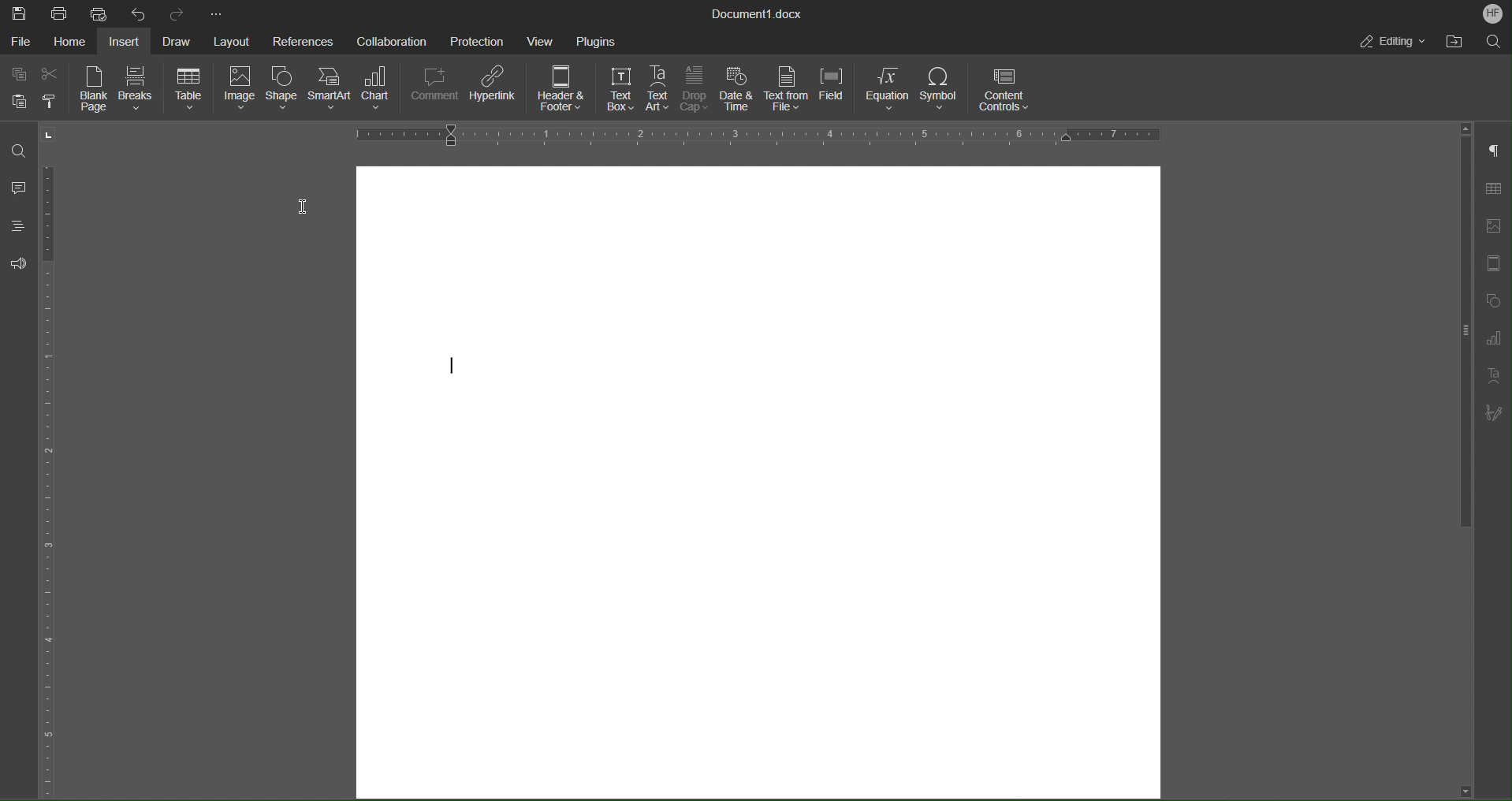  Describe the element at coordinates (539, 39) in the screenshot. I see `View` at that location.